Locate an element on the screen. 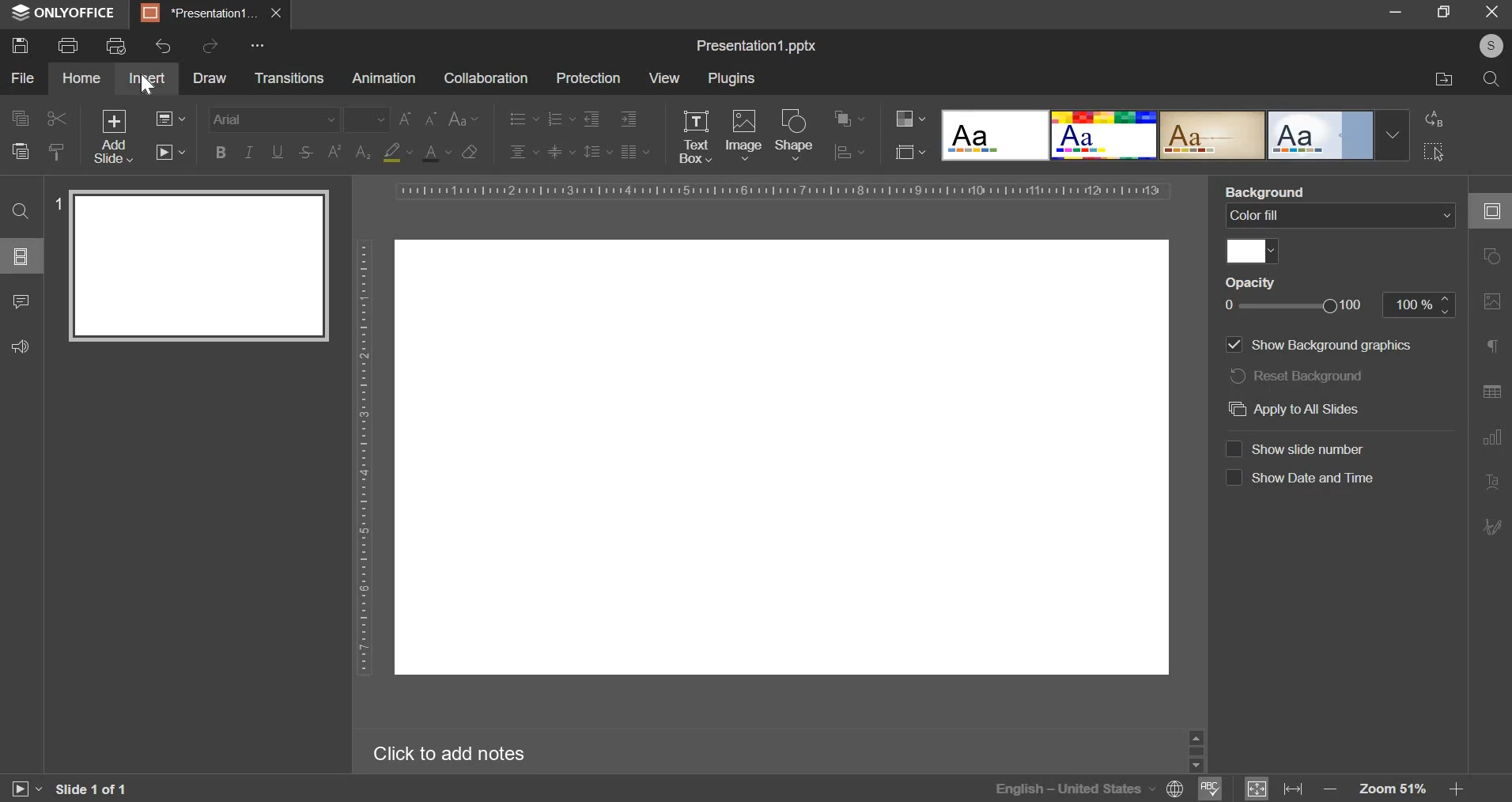 The image size is (1512, 802). select is located at coordinates (1433, 151).